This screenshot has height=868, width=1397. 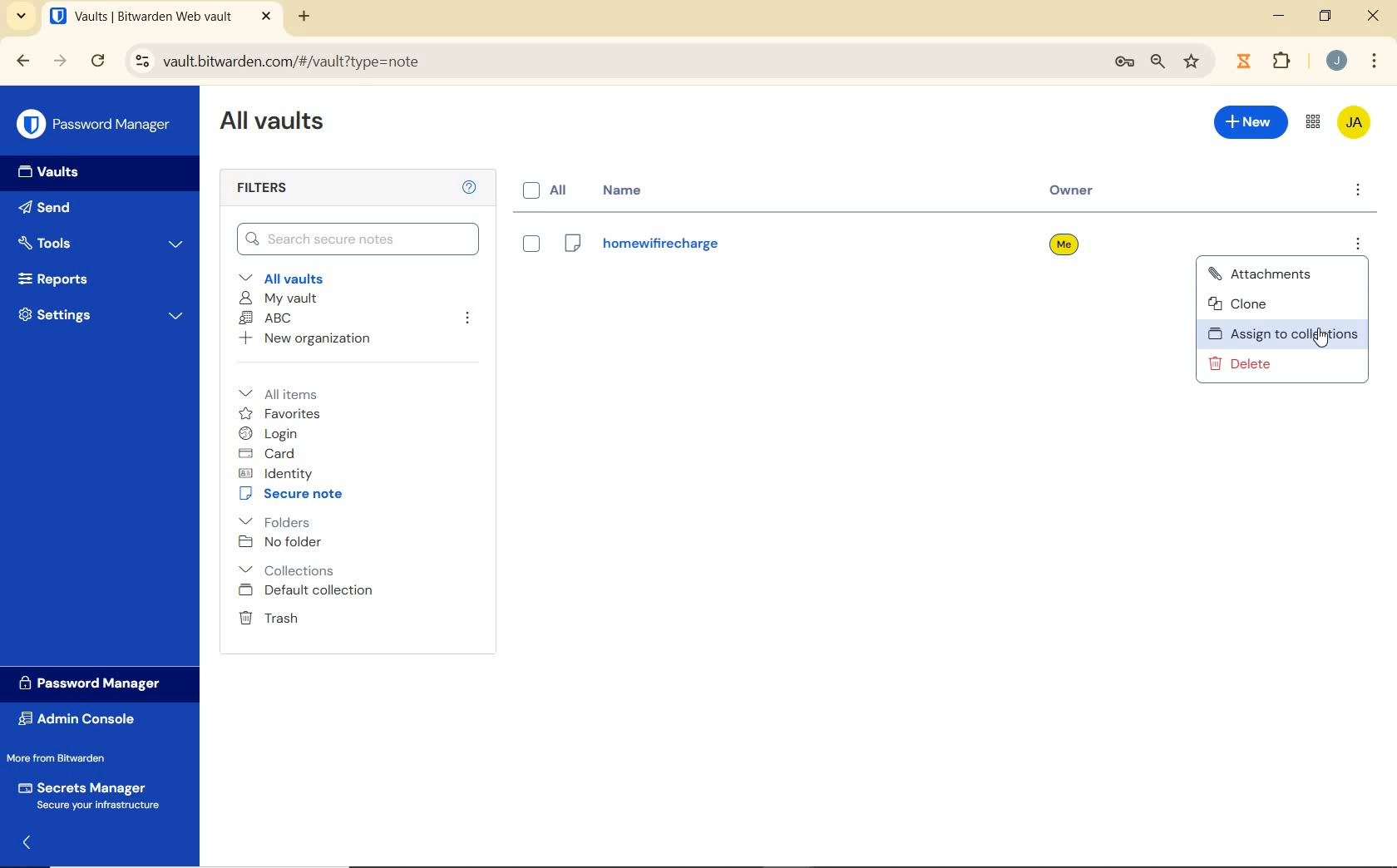 I want to click on secure note, so click(x=294, y=494).